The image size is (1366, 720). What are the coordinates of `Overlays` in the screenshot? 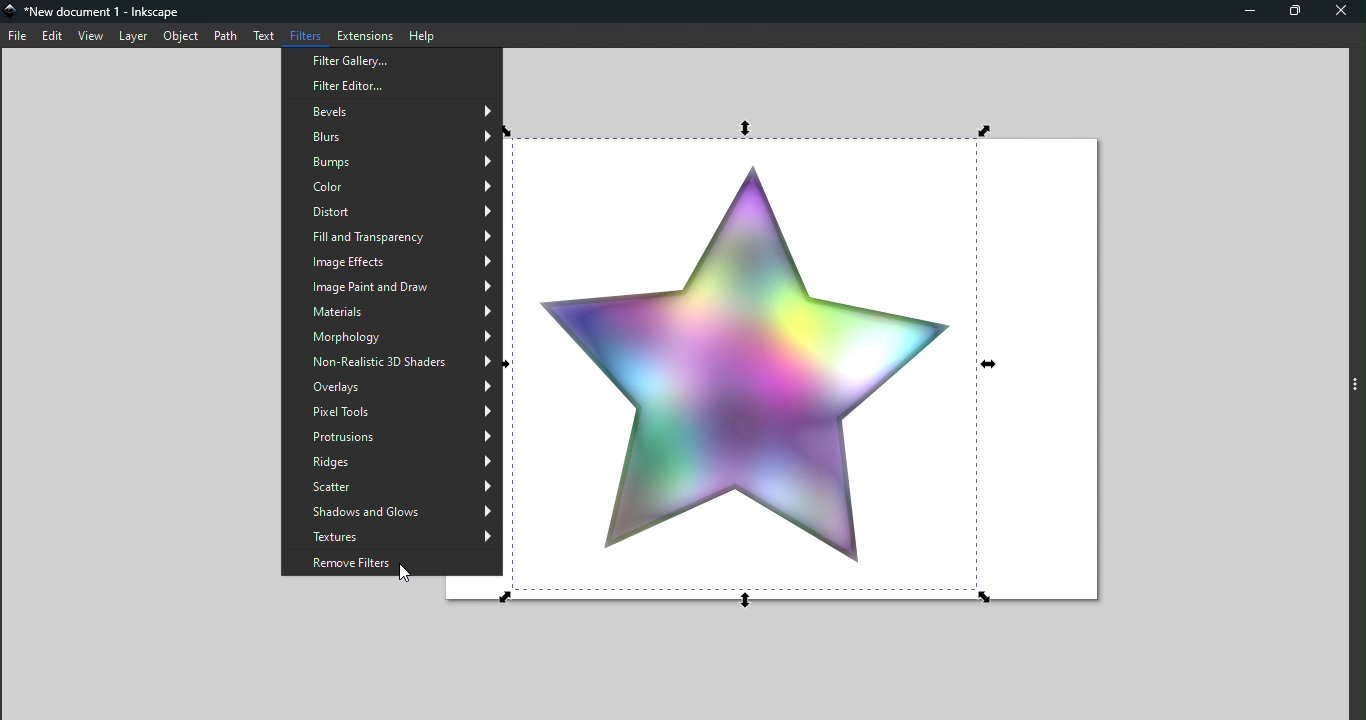 It's located at (392, 388).